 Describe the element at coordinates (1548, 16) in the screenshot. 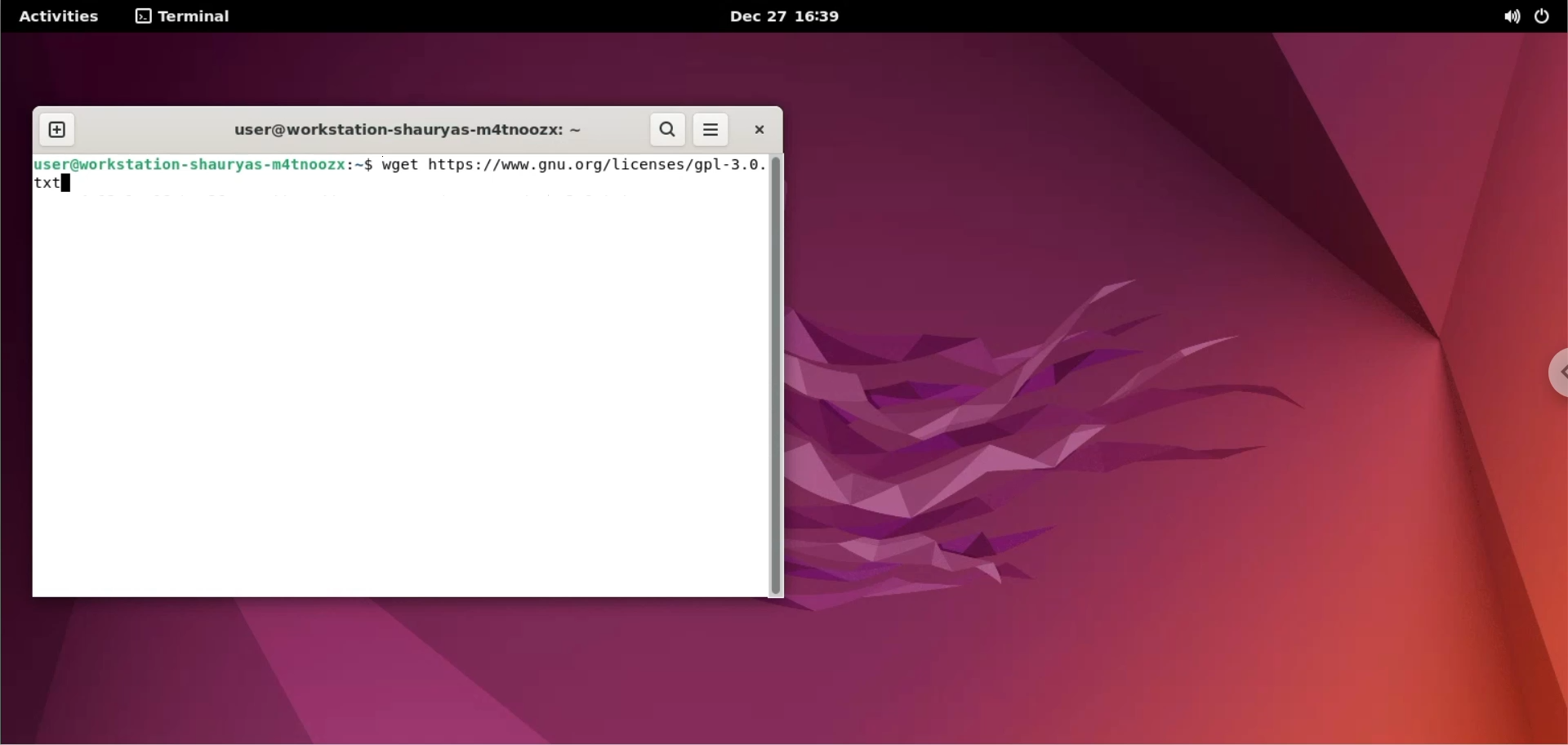

I see `power` at that location.